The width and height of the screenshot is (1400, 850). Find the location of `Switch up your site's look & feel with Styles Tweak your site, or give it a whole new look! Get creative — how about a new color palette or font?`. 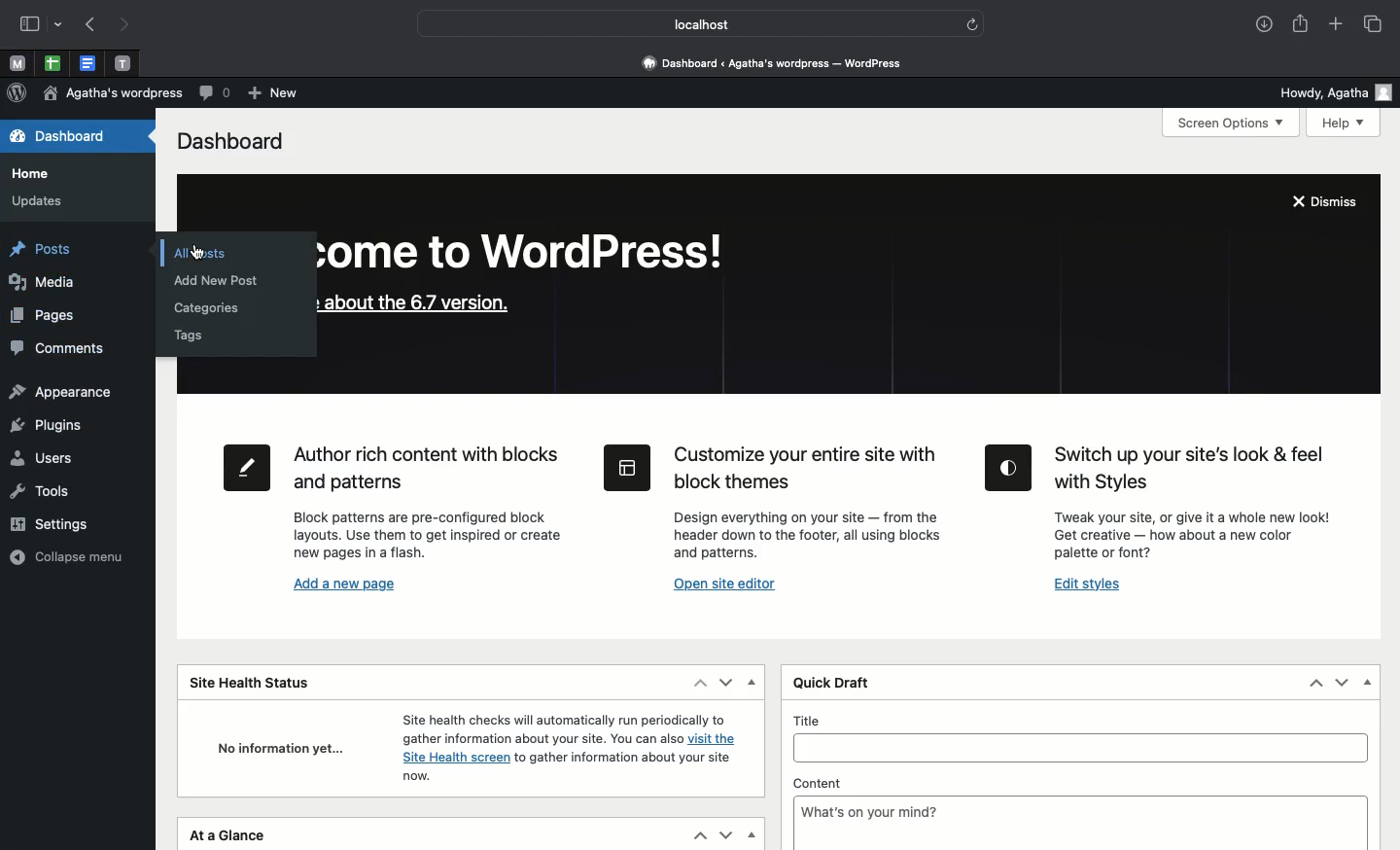

Switch up your site's look & feel with Styles Tweak your site, or give it a whole new look! Get creative — how about a new color palette or font? is located at coordinates (1164, 504).